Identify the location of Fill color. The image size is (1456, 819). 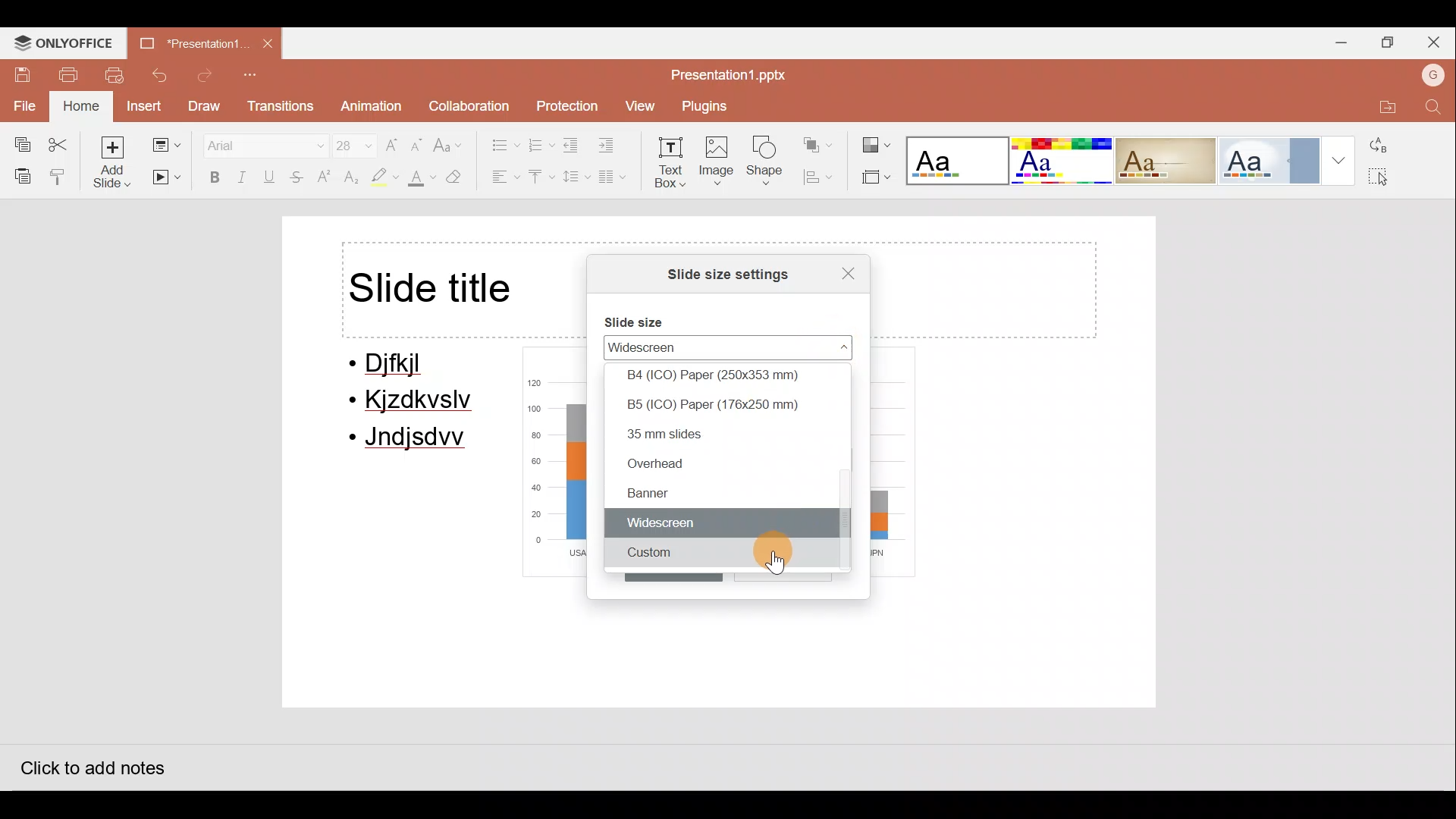
(419, 180).